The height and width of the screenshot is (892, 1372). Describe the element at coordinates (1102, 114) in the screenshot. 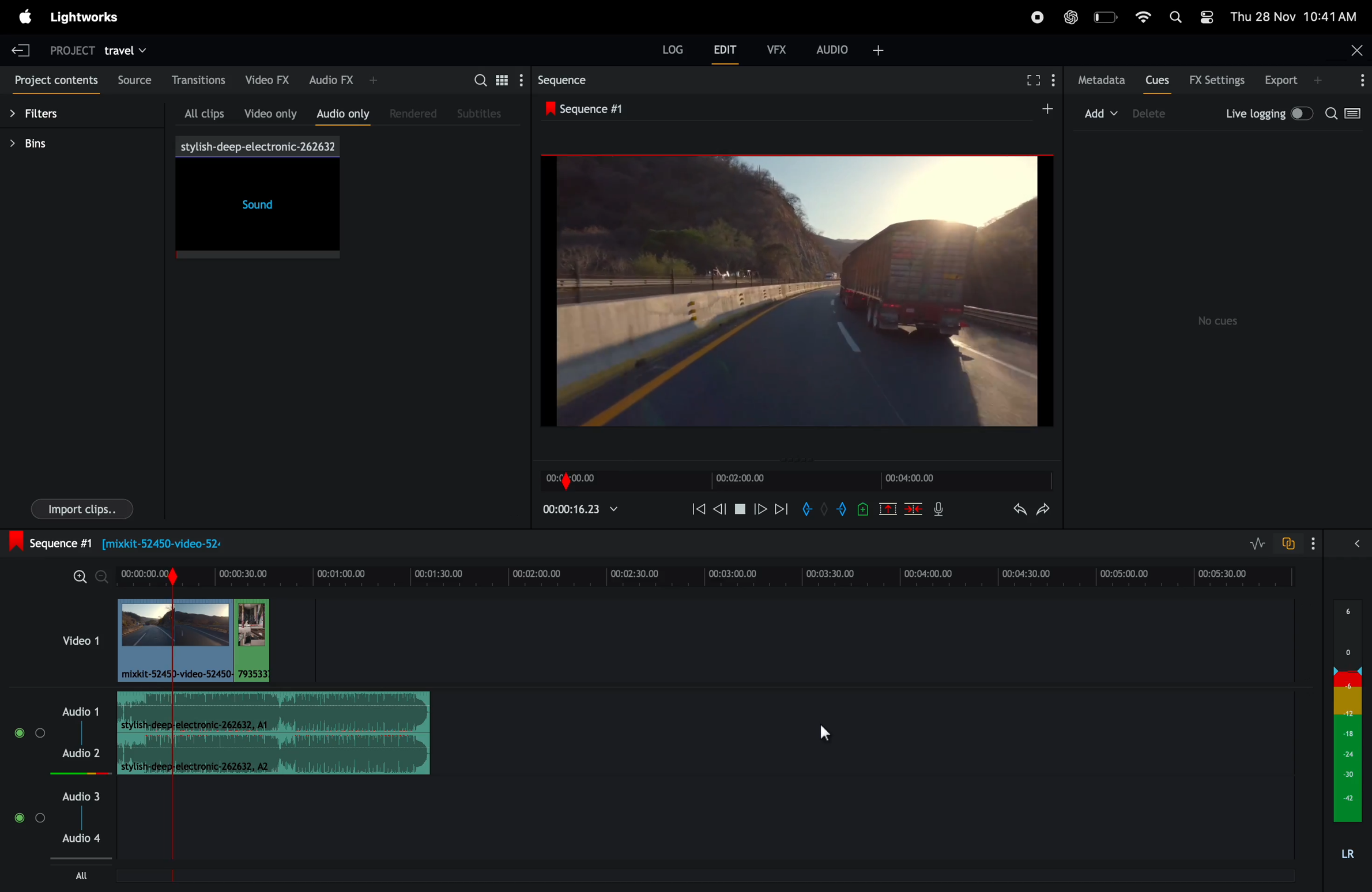

I see `add` at that location.